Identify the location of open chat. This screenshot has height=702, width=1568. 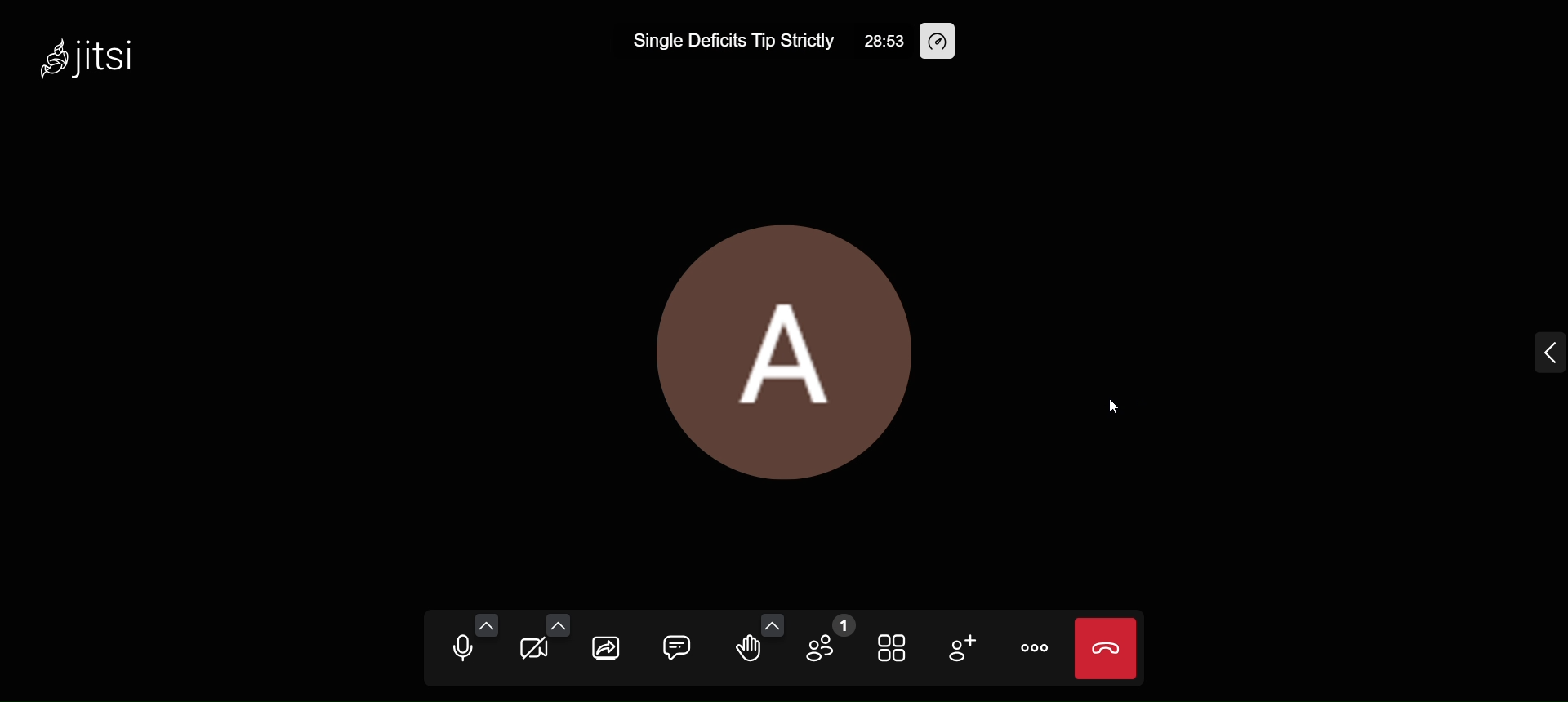
(672, 646).